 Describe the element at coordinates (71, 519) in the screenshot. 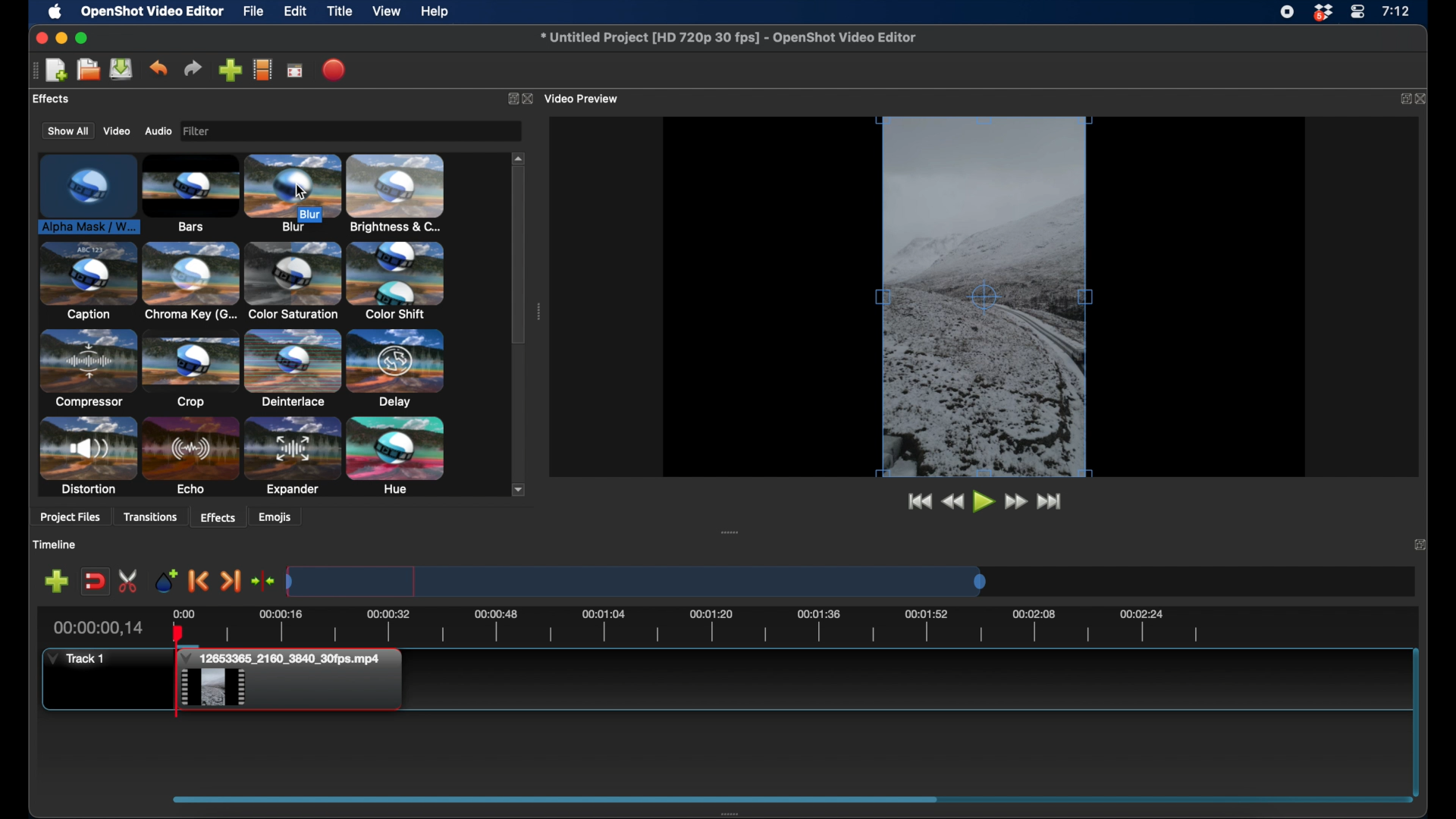

I see `project files` at that location.